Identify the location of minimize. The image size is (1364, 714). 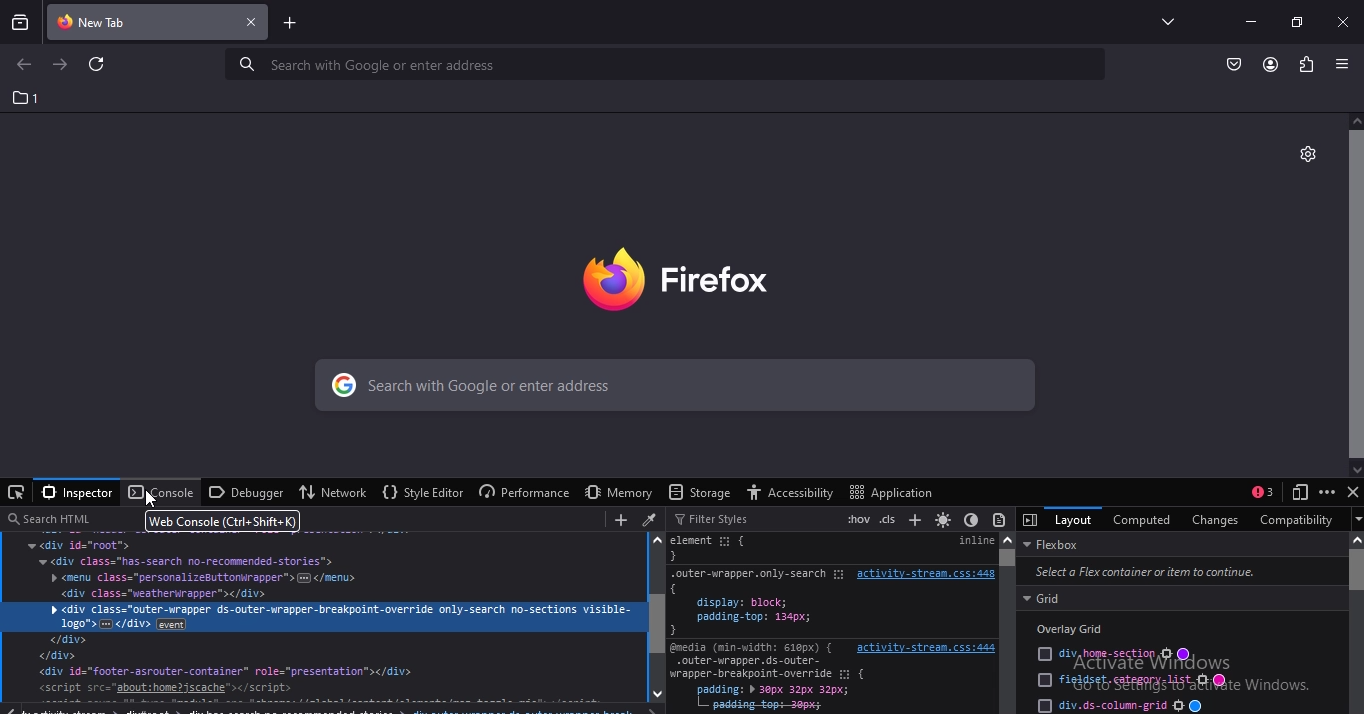
(1250, 21).